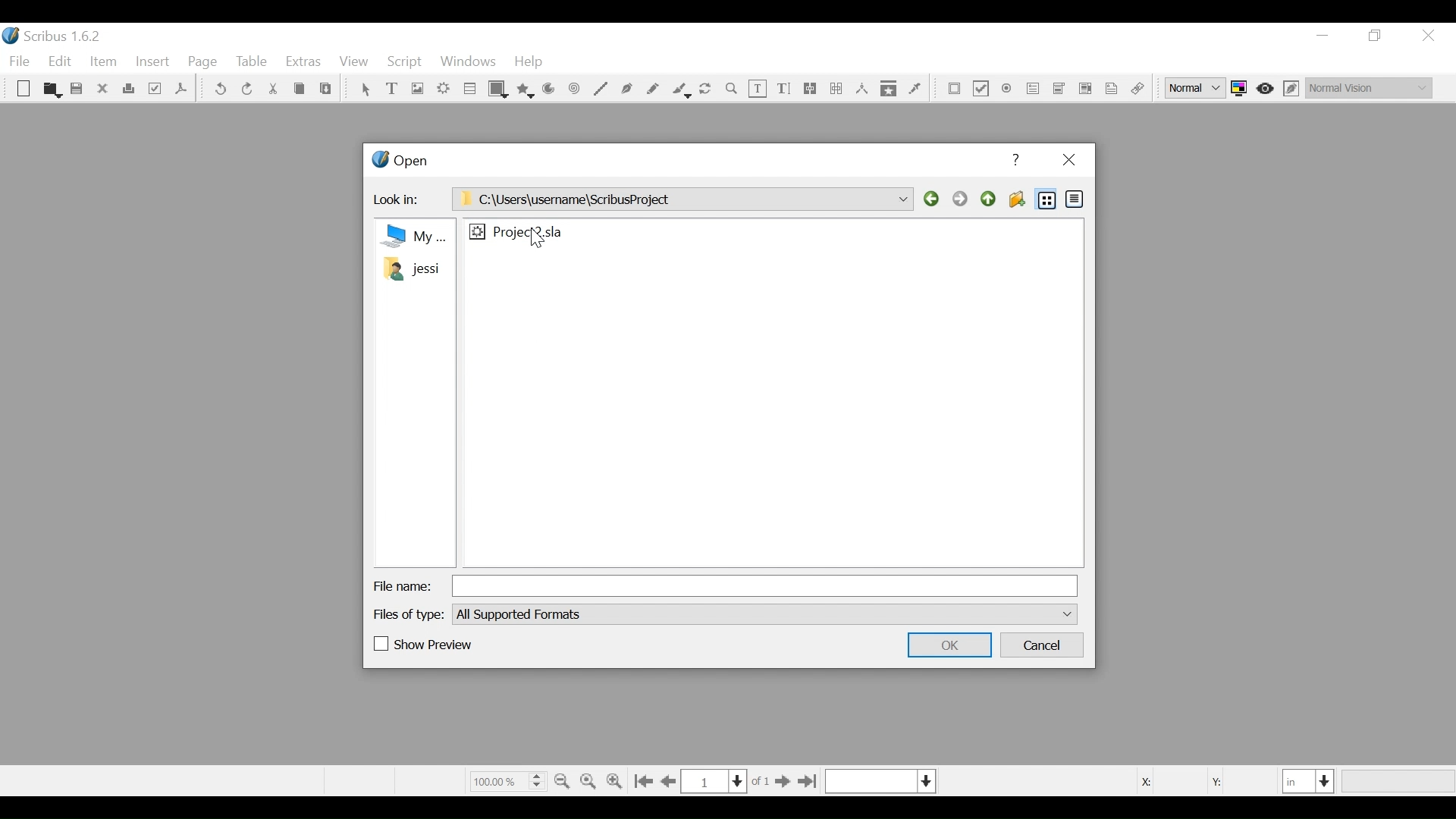 This screenshot has width=1456, height=819. Describe the element at coordinates (1016, 199) in the screenshot. I see `Create Folder` at that location.